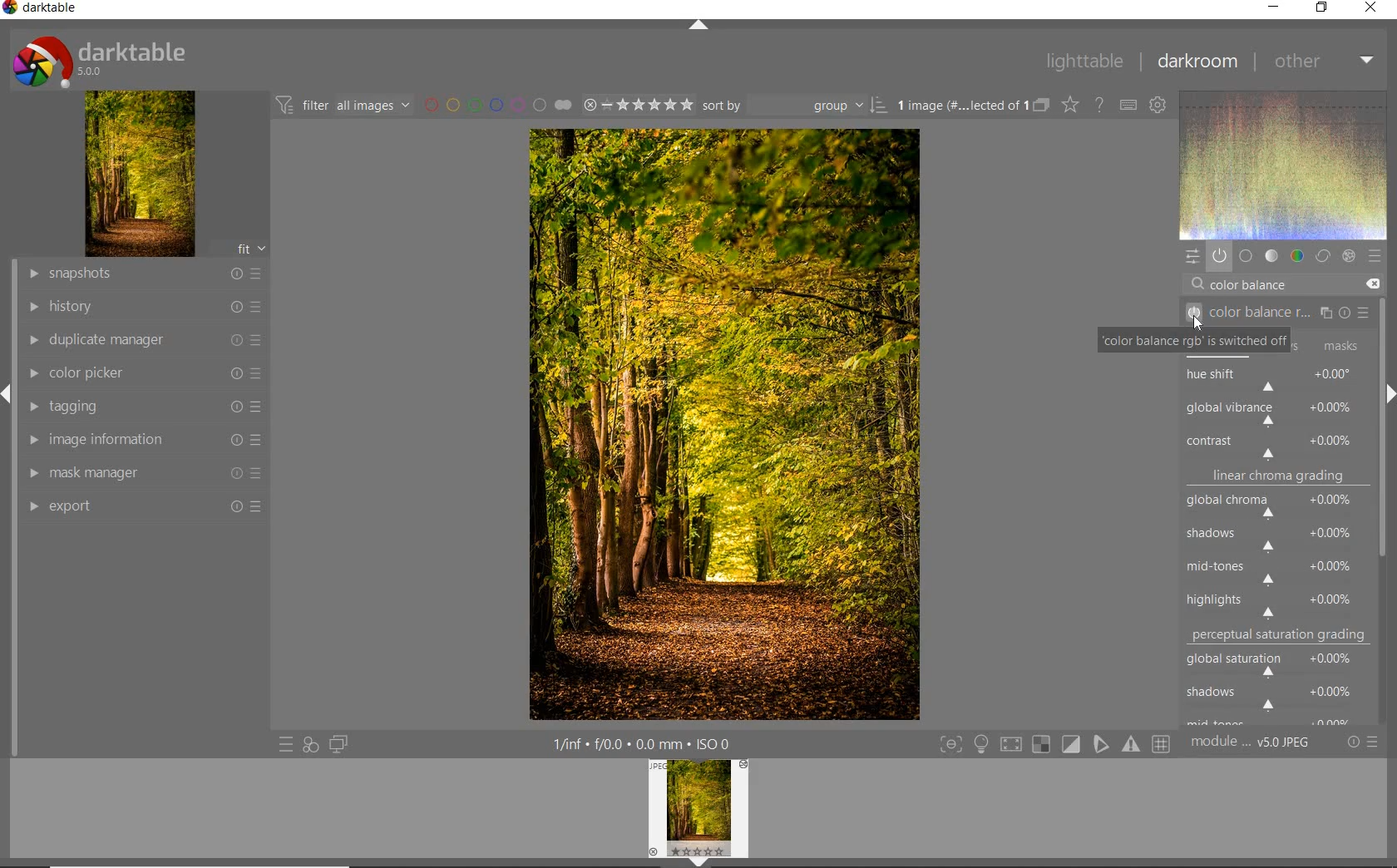 This screenshot has height=868, width=1397. I want to click on mid-tones, so click(1274, 570).